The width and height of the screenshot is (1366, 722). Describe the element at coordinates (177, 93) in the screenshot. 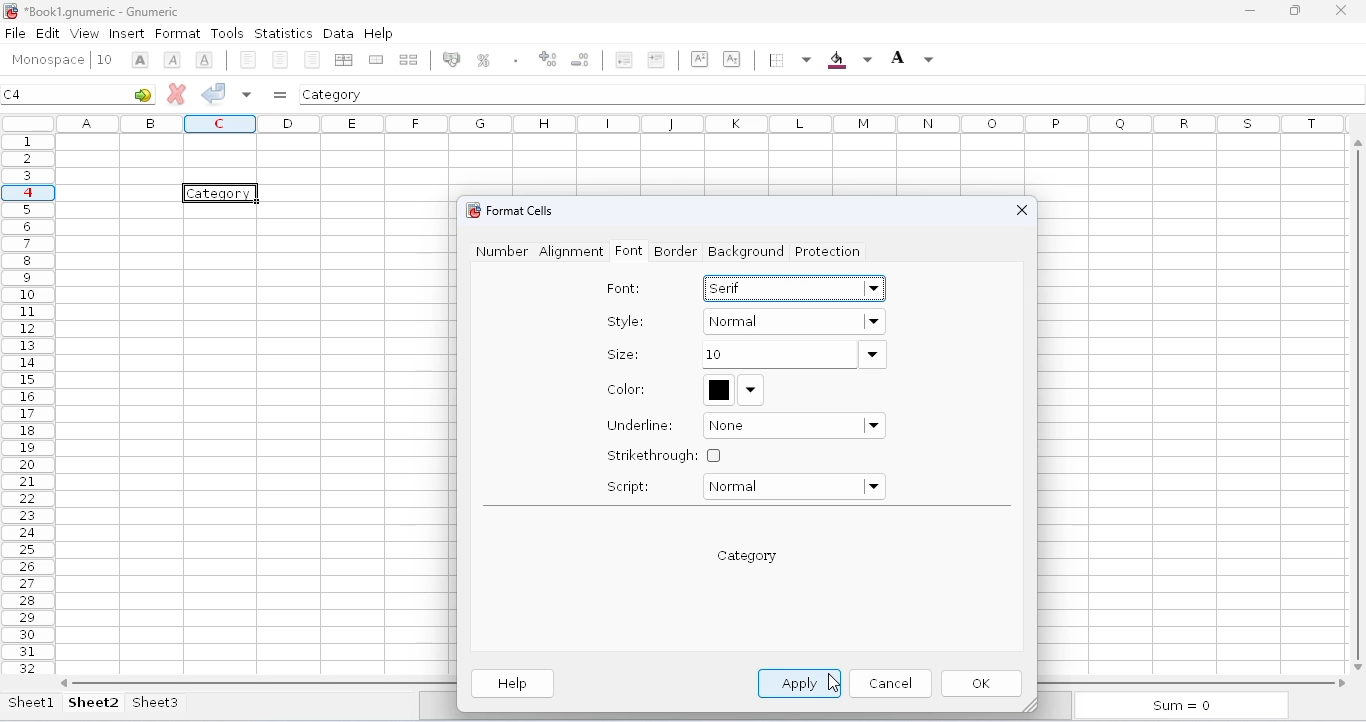

I see `cancel change` at that location.